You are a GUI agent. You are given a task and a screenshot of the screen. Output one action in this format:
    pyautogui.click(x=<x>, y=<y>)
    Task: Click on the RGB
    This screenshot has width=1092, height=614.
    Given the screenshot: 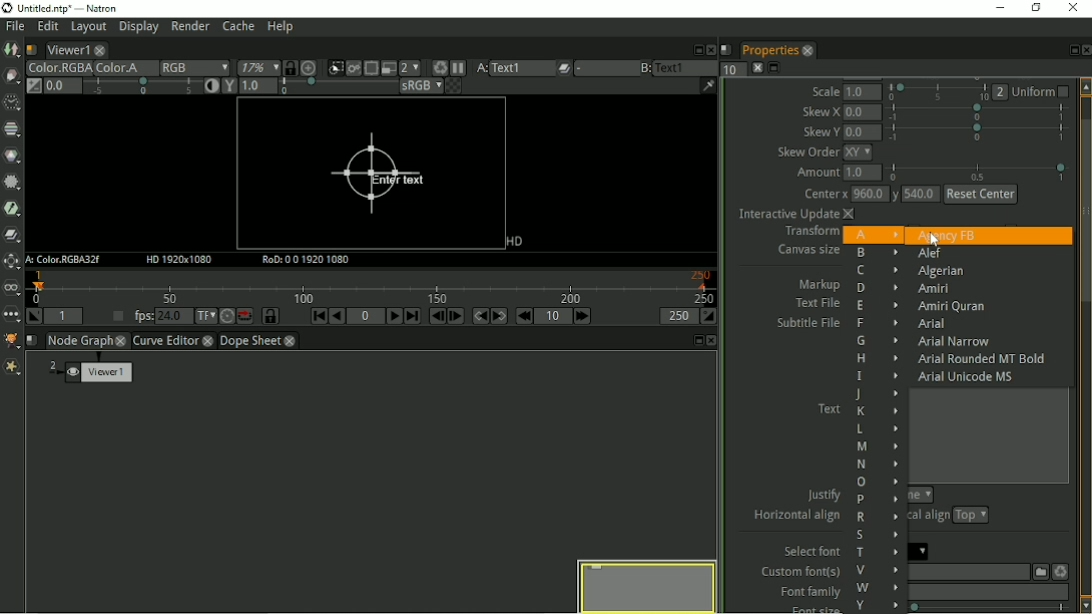 What is the action you would take?
    pyautogui.click(x=194, y=68)
    